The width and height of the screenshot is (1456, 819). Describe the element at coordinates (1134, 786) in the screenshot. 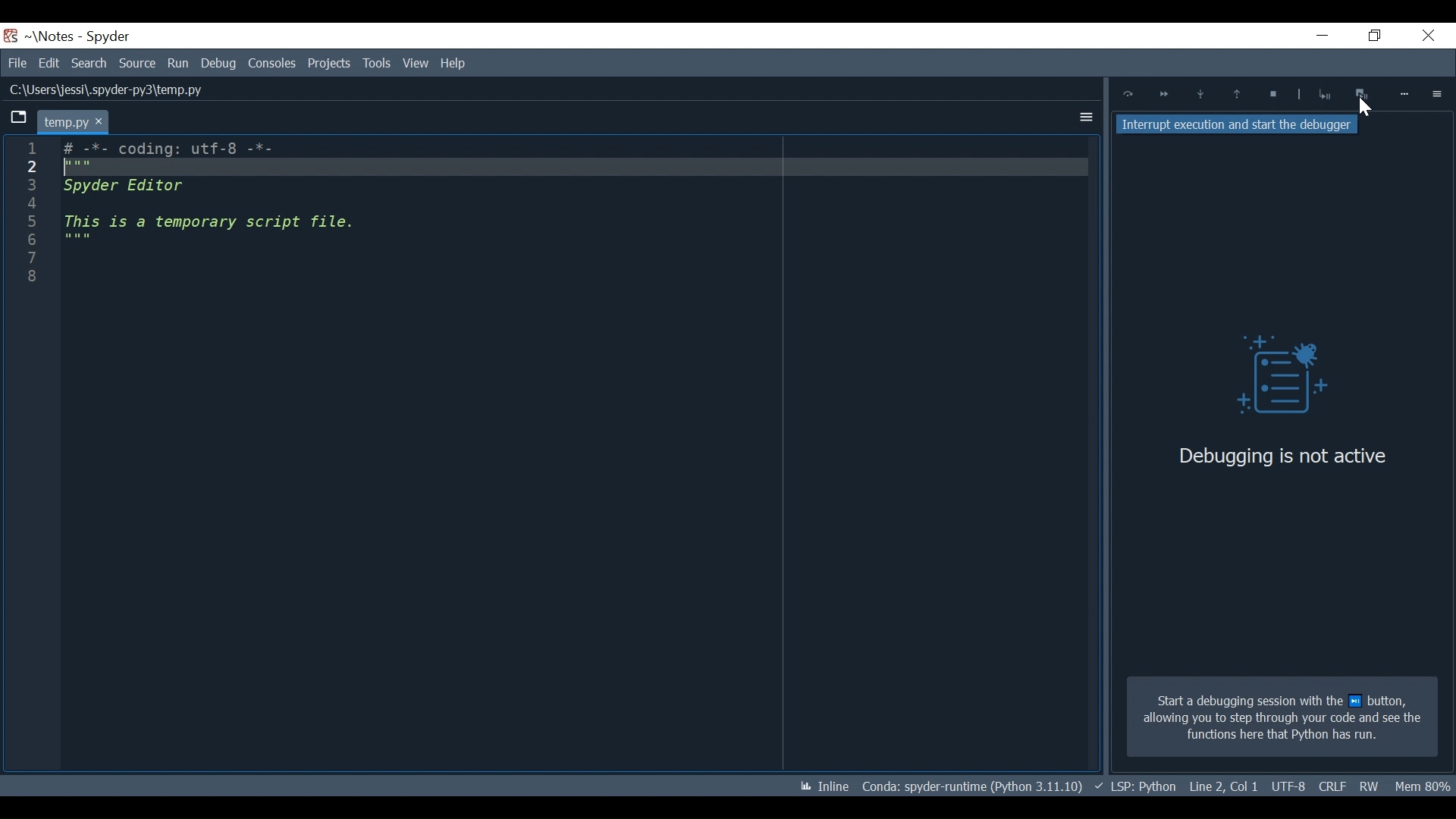

I see `Language` at that location.